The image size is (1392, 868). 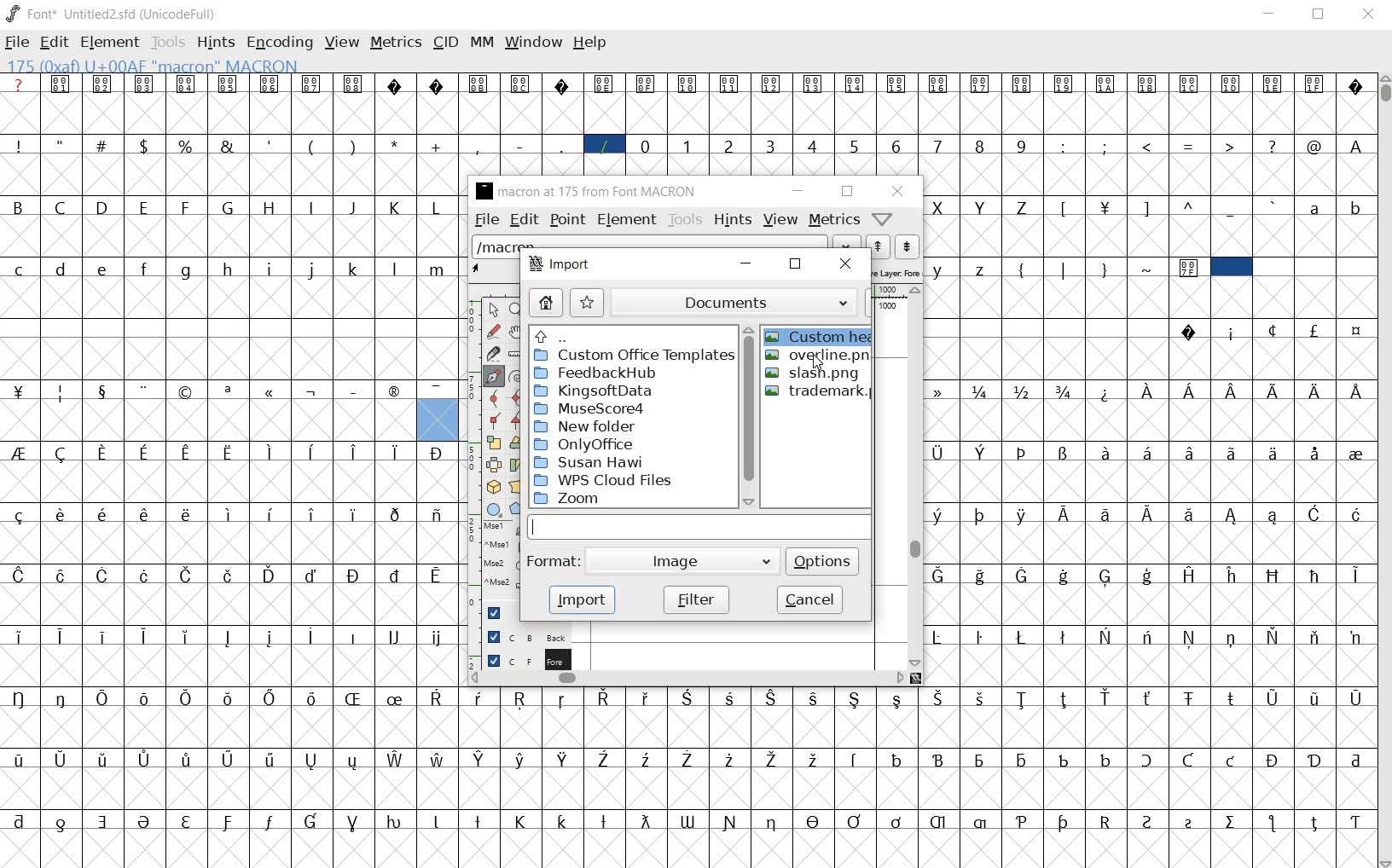 What do you see at coordinates (1317, 147) in the screenshot?
I see `@` at bounding box center [1317, 147].